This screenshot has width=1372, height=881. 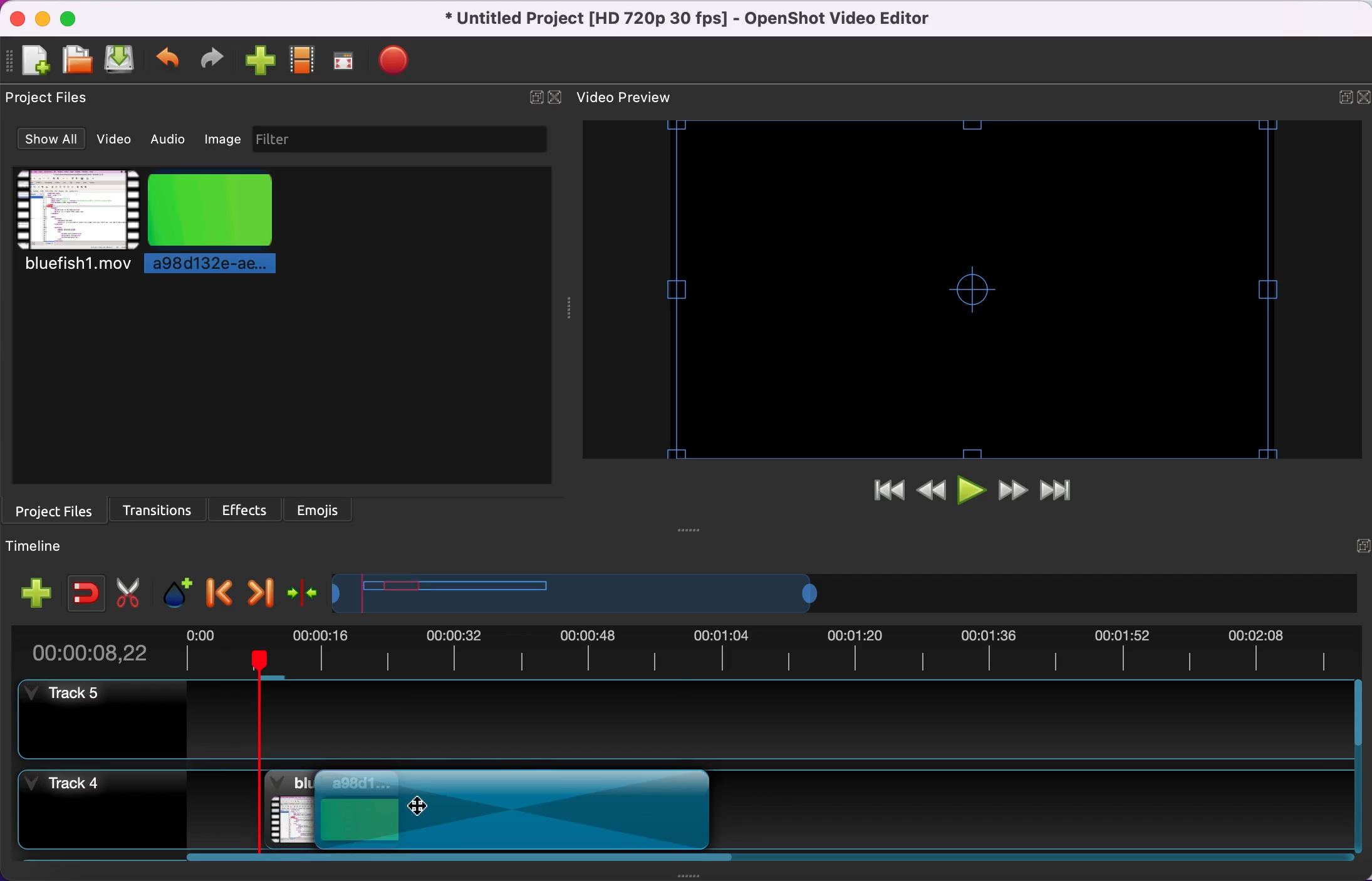 What do you see at coordinates (16, 18) in the screenshot?
I see `` at bounding box center [16, 18].